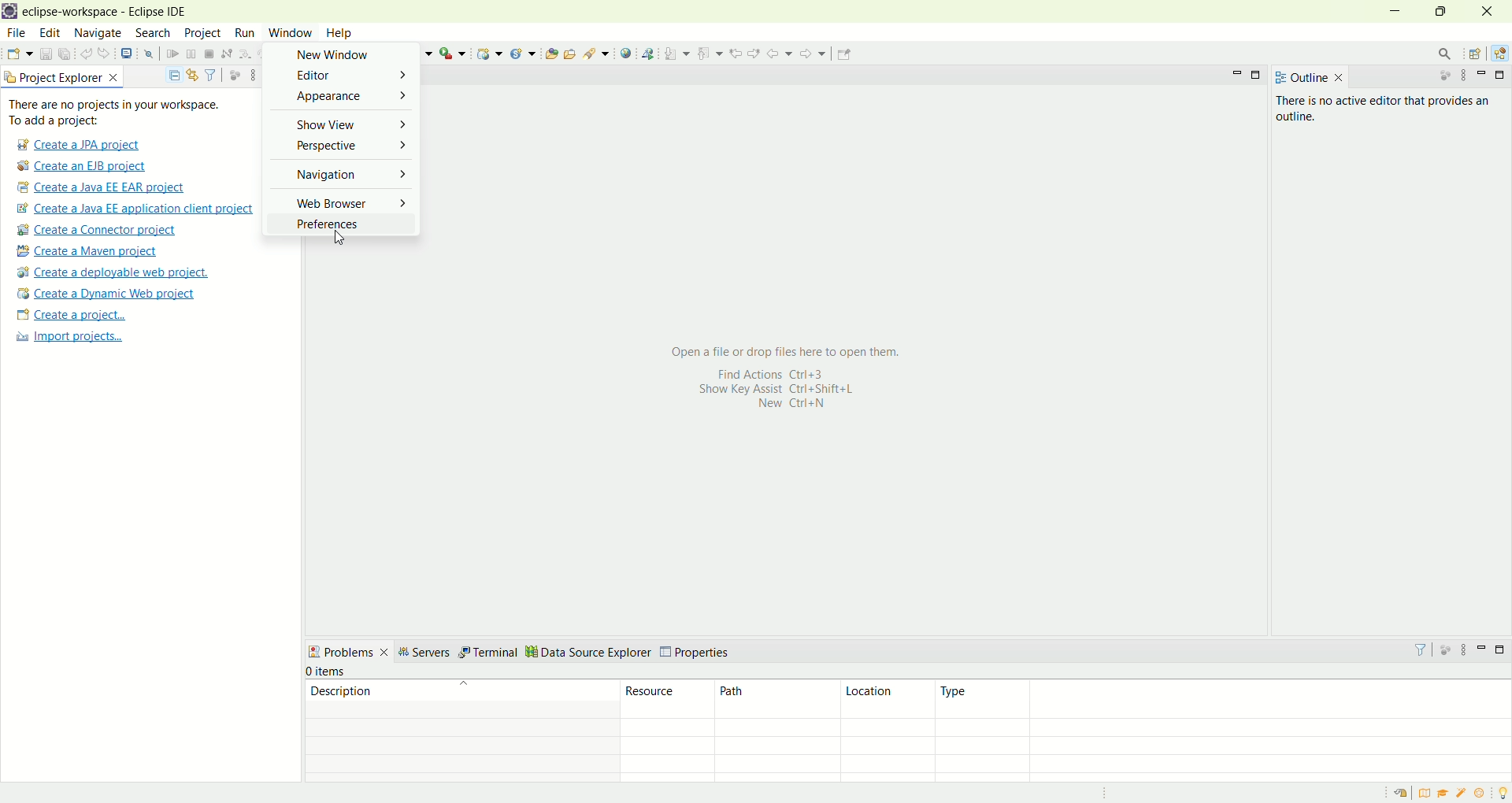 The height and width of the screenshot is (803, 1512). I want to click on navigate, so click(98, 34).